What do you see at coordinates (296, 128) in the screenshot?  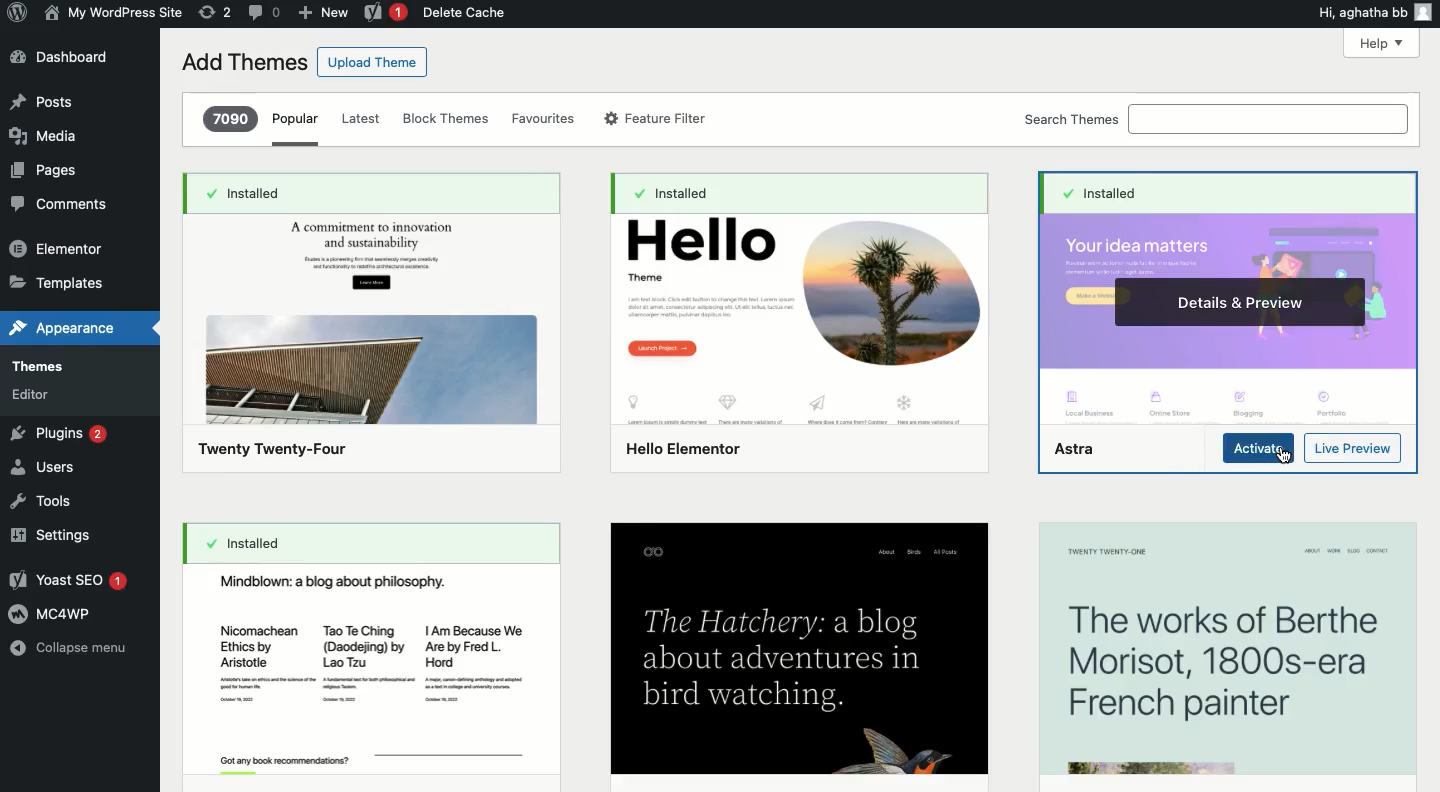 I see `Popular` at bounding box center [296, 128].